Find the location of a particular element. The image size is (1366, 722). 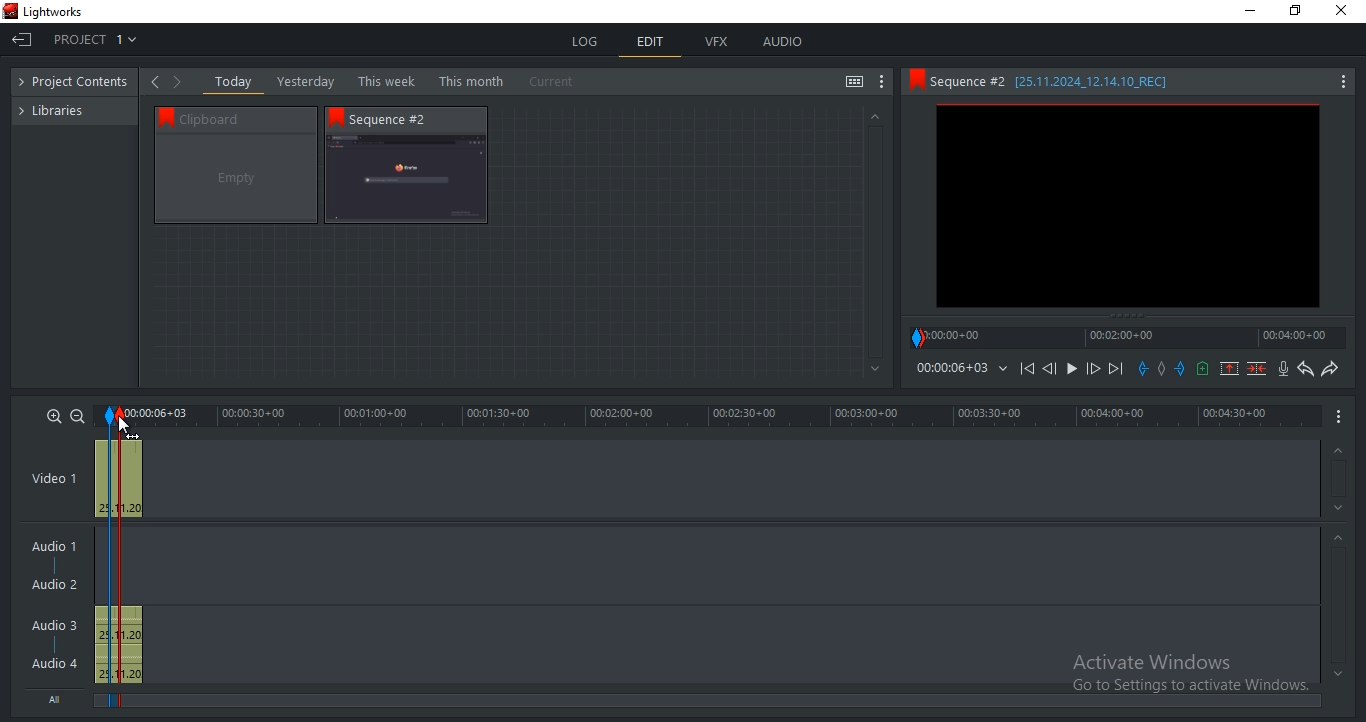

Close is located at coordinates (1345, 11).